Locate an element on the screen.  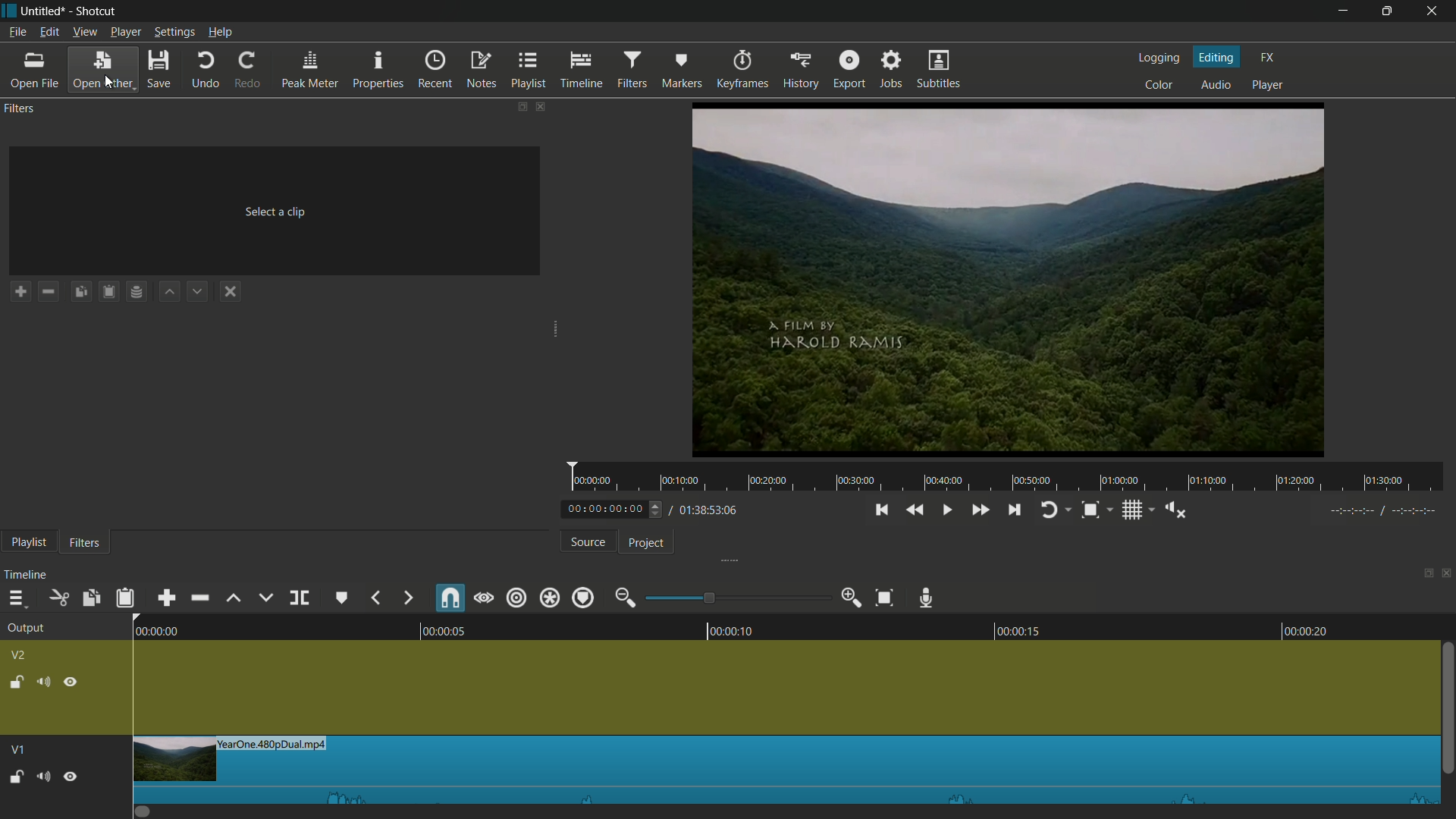
cursor is located at coordinates (107, 83).